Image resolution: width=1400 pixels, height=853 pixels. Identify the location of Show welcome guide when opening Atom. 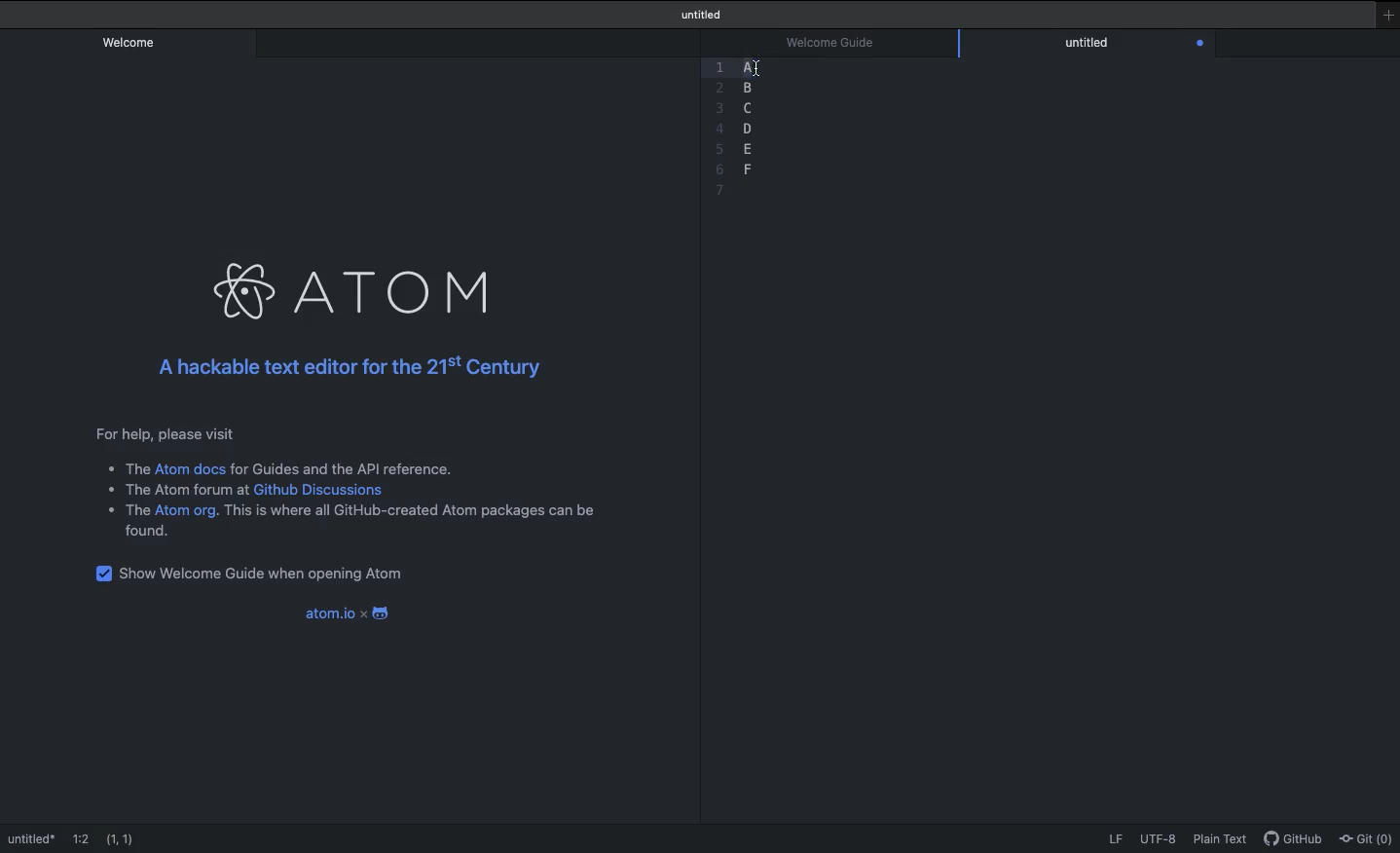
(258, 571).